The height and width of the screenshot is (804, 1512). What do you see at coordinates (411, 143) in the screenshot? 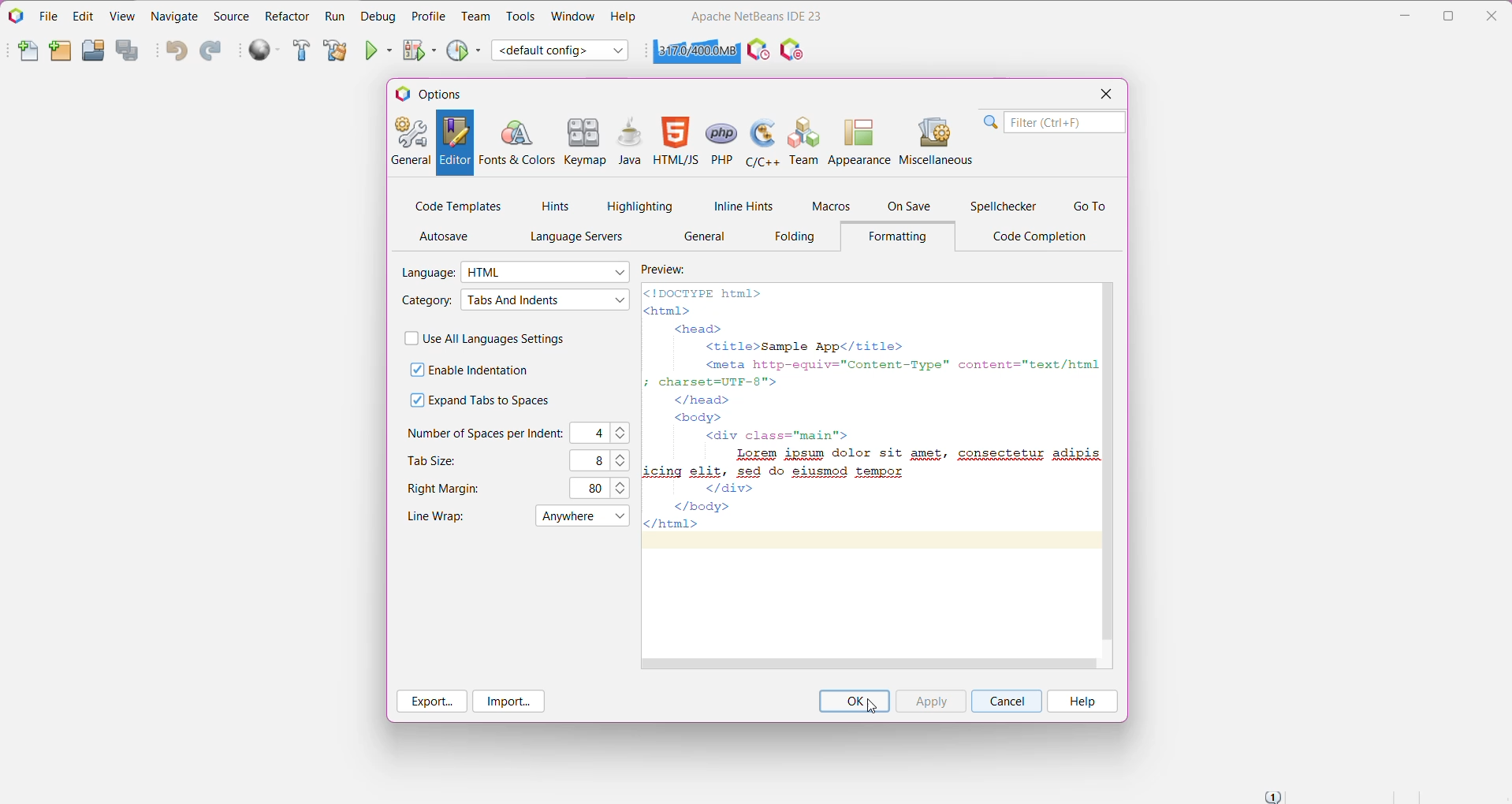
I see `General` at bounding box center [411, 143].